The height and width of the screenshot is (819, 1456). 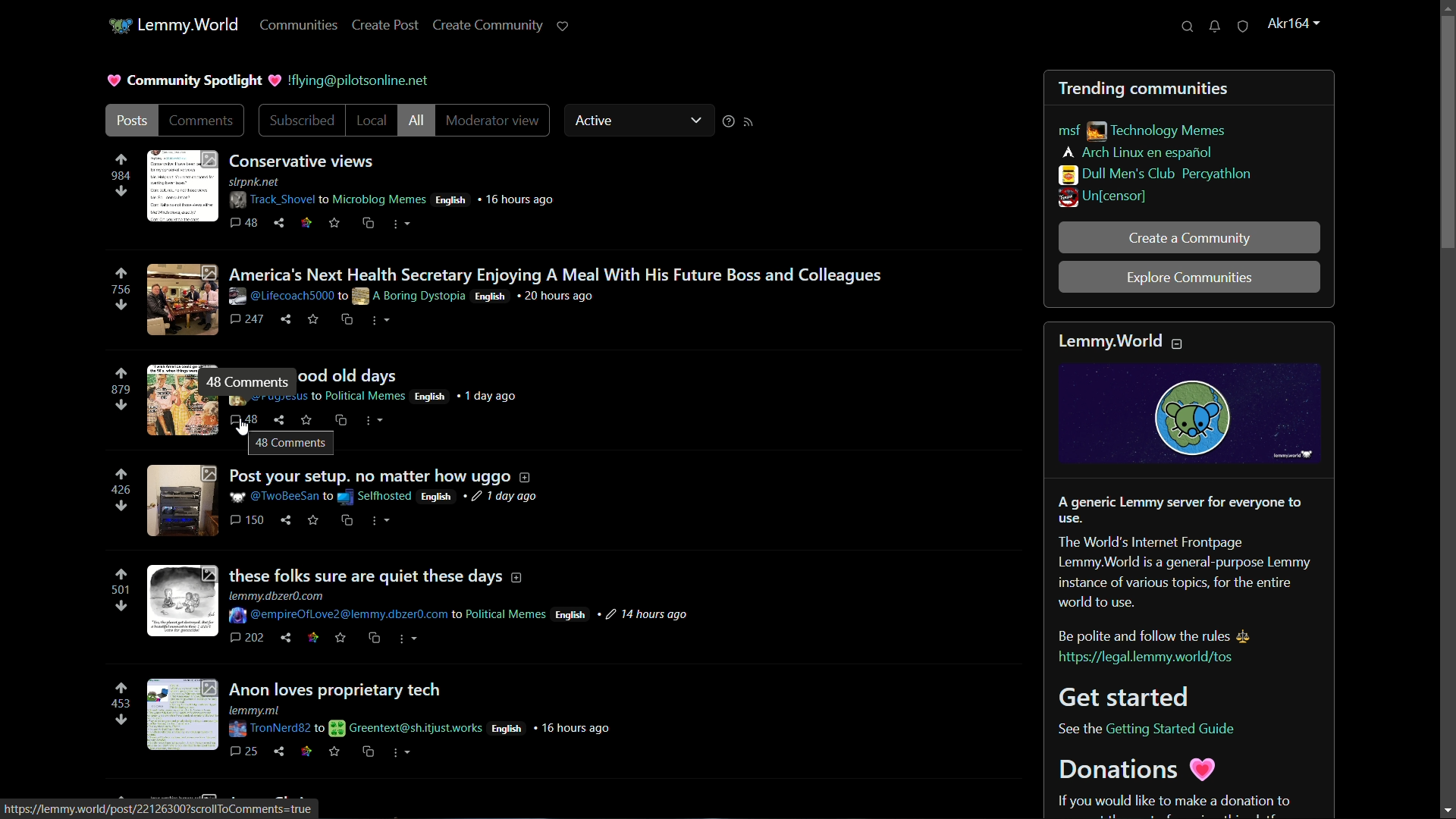 What do you see at coordinates (114, 81) in the screenshot?
I see `heart symbol` at bounding box center [114, 81].